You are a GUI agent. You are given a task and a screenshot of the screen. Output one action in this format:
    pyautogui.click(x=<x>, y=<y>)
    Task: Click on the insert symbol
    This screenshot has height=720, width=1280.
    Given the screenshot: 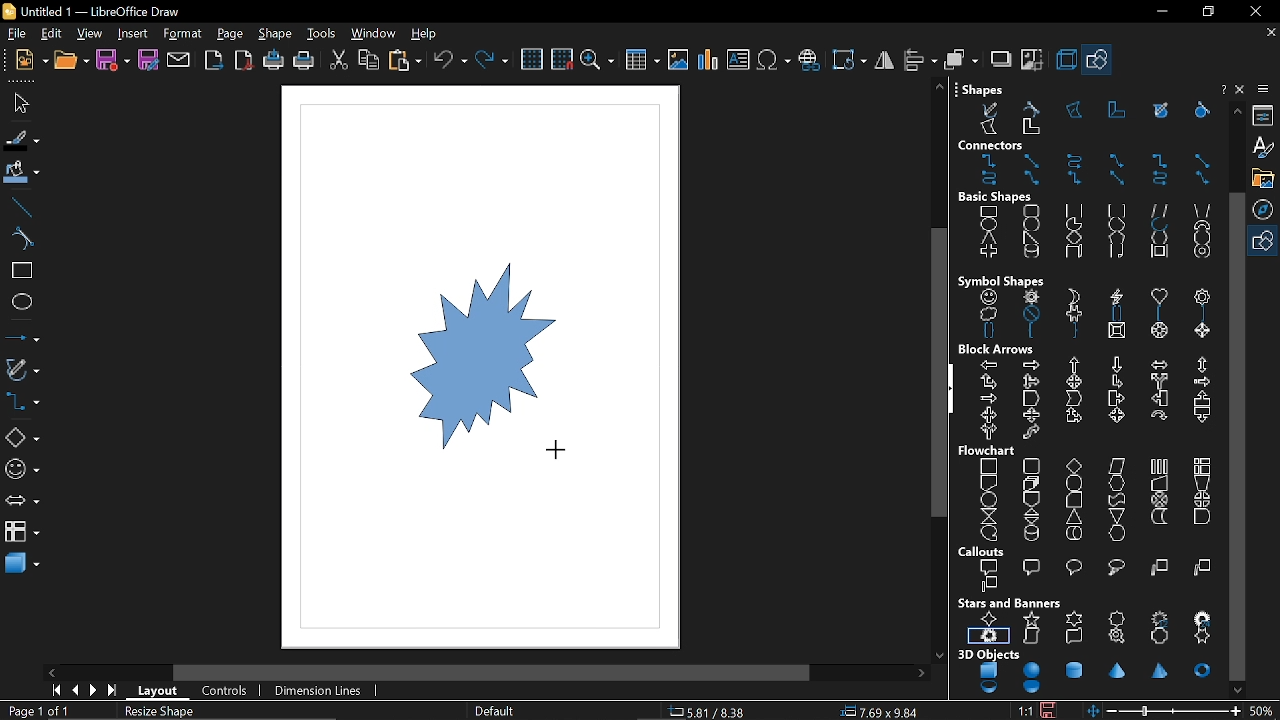 What is the action you would take?
    pyautogui.click(x=774, y=60)
    